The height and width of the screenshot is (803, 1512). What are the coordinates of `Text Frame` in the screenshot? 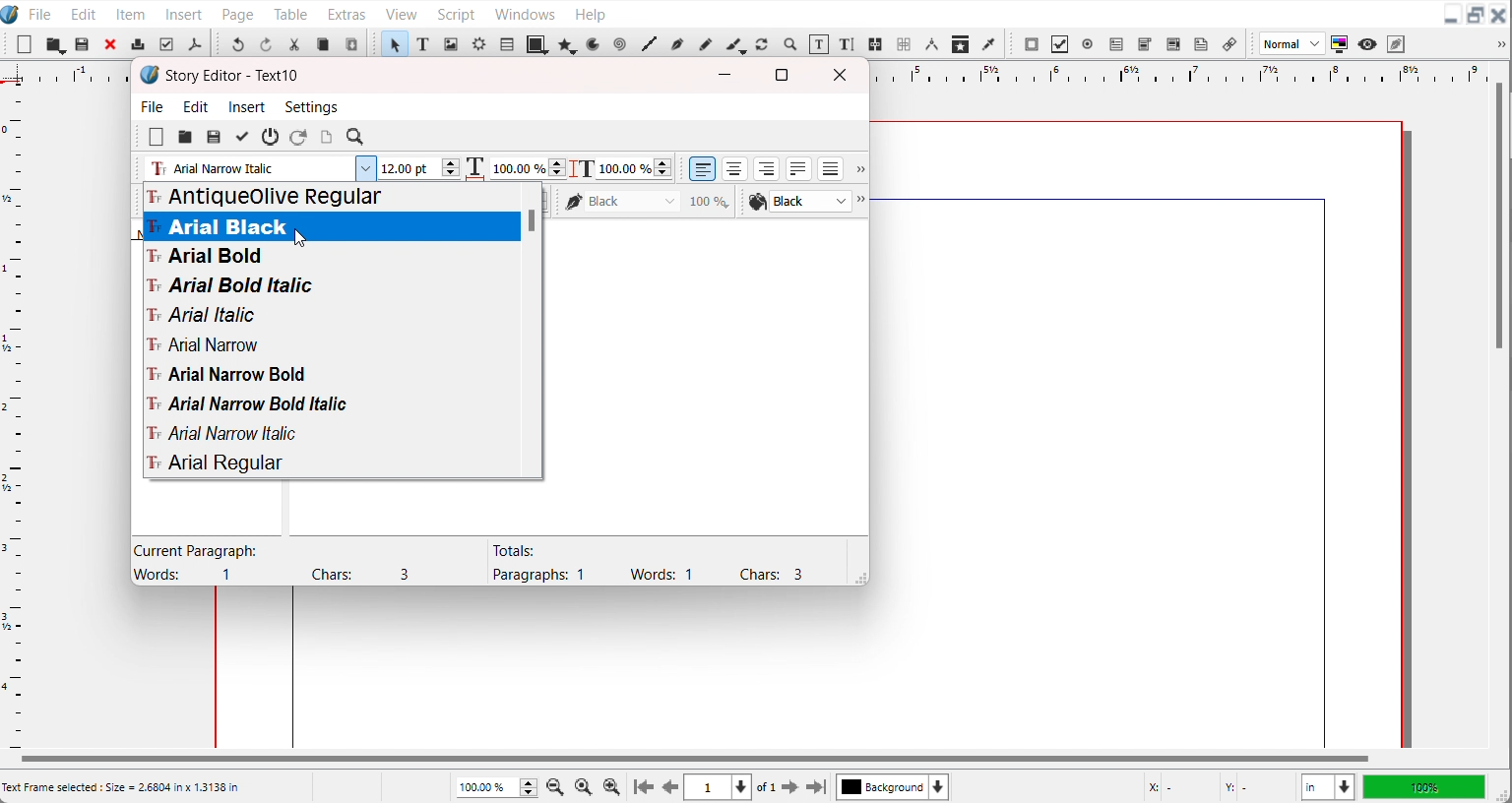 It's located at (423, 43).